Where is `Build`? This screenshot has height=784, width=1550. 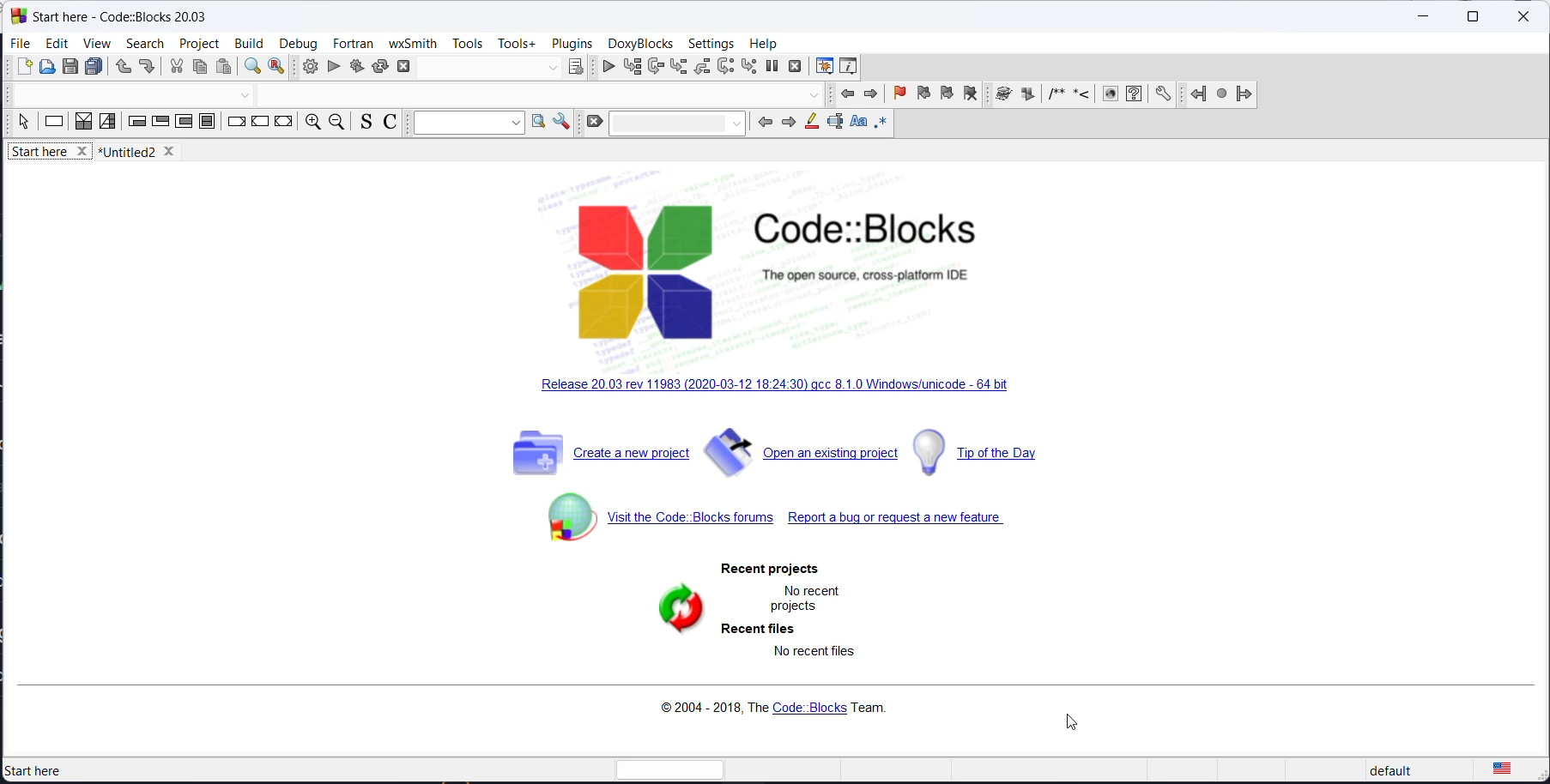 Build is located at coordinates (247, 41).